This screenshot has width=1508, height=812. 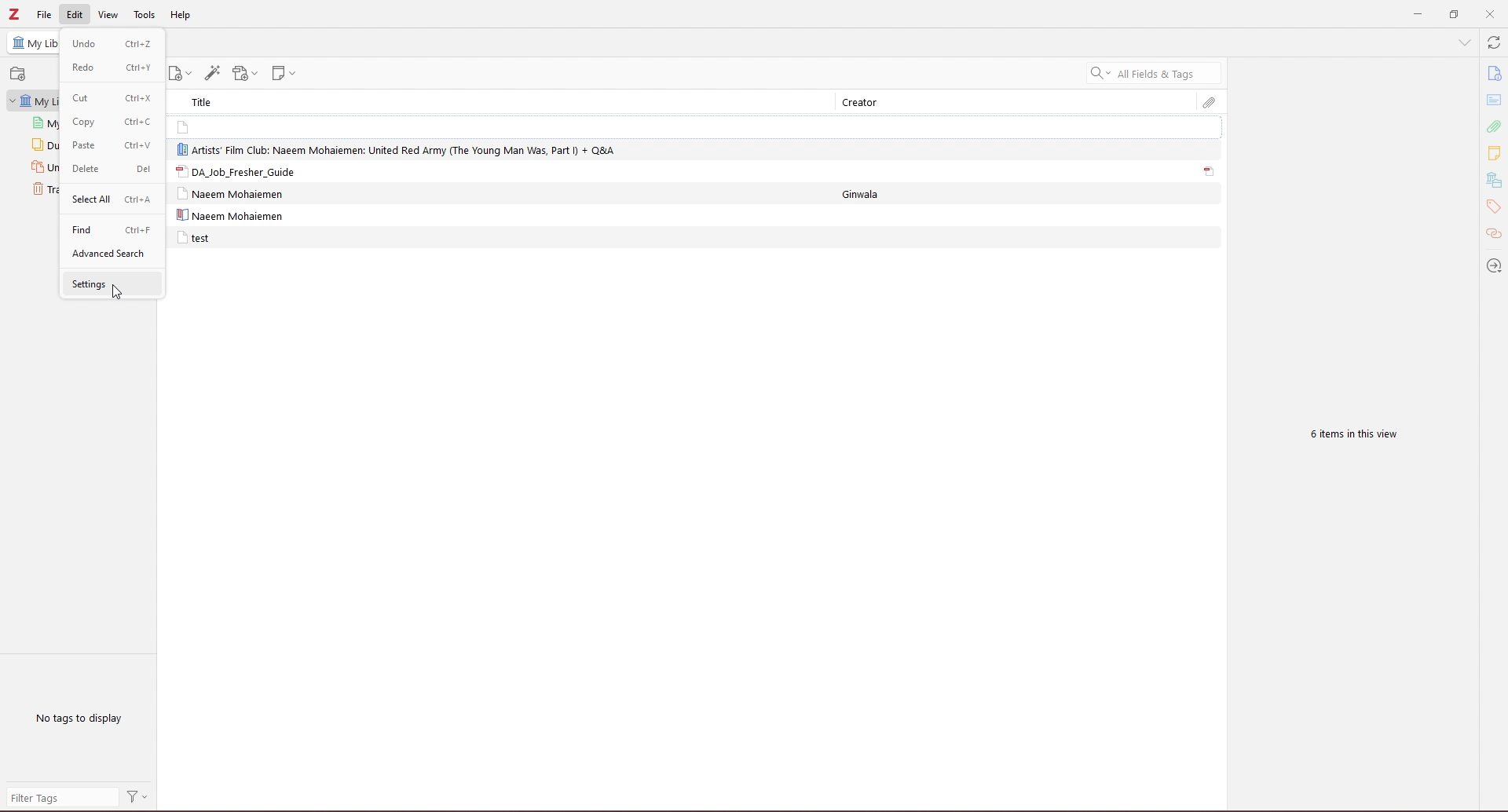 I want to click on locate, so click(x=1492, y=265).